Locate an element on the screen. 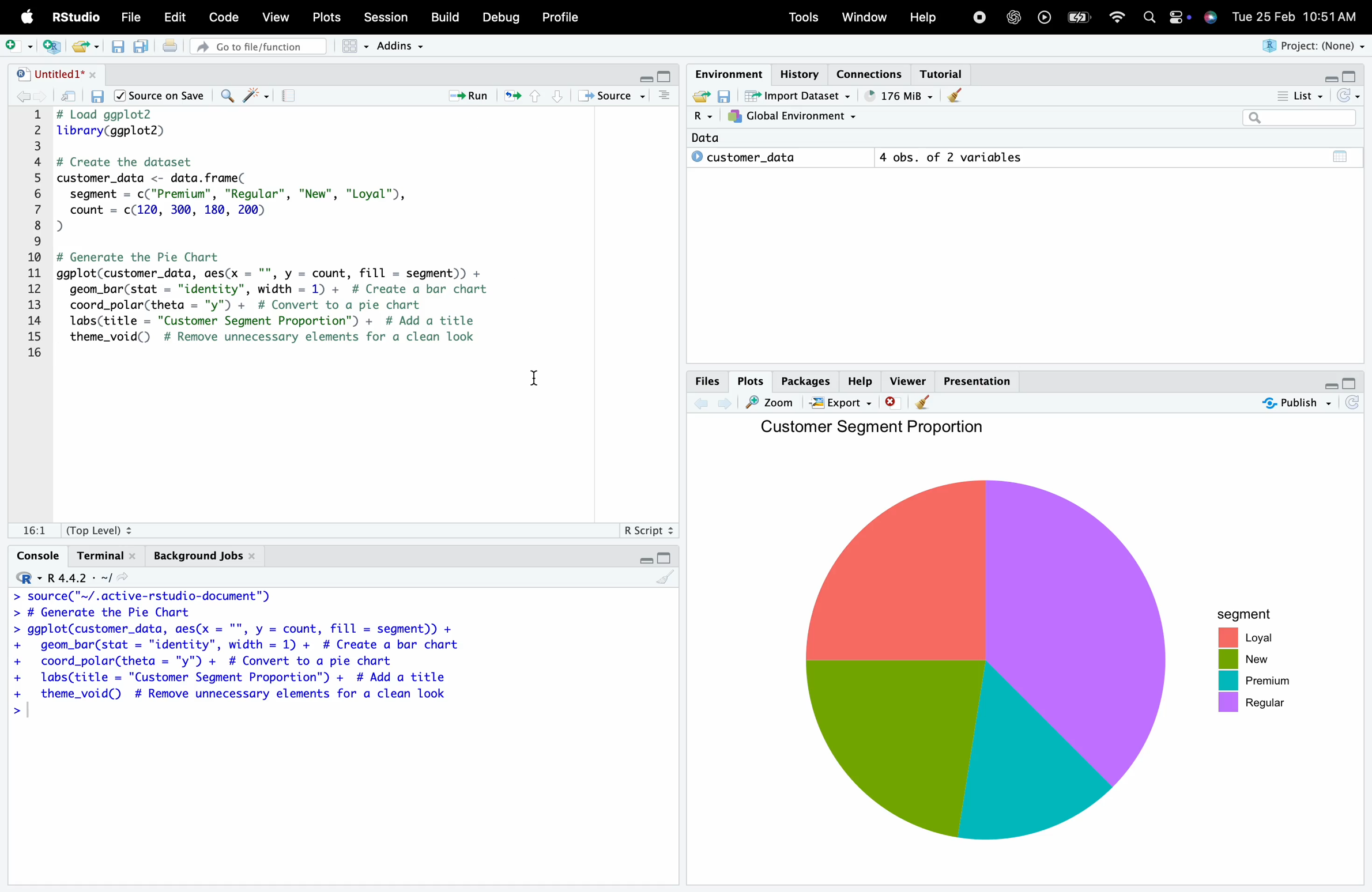 This screenshot has height=892, width=1372. pie chart is located at coordinates (992, 663).